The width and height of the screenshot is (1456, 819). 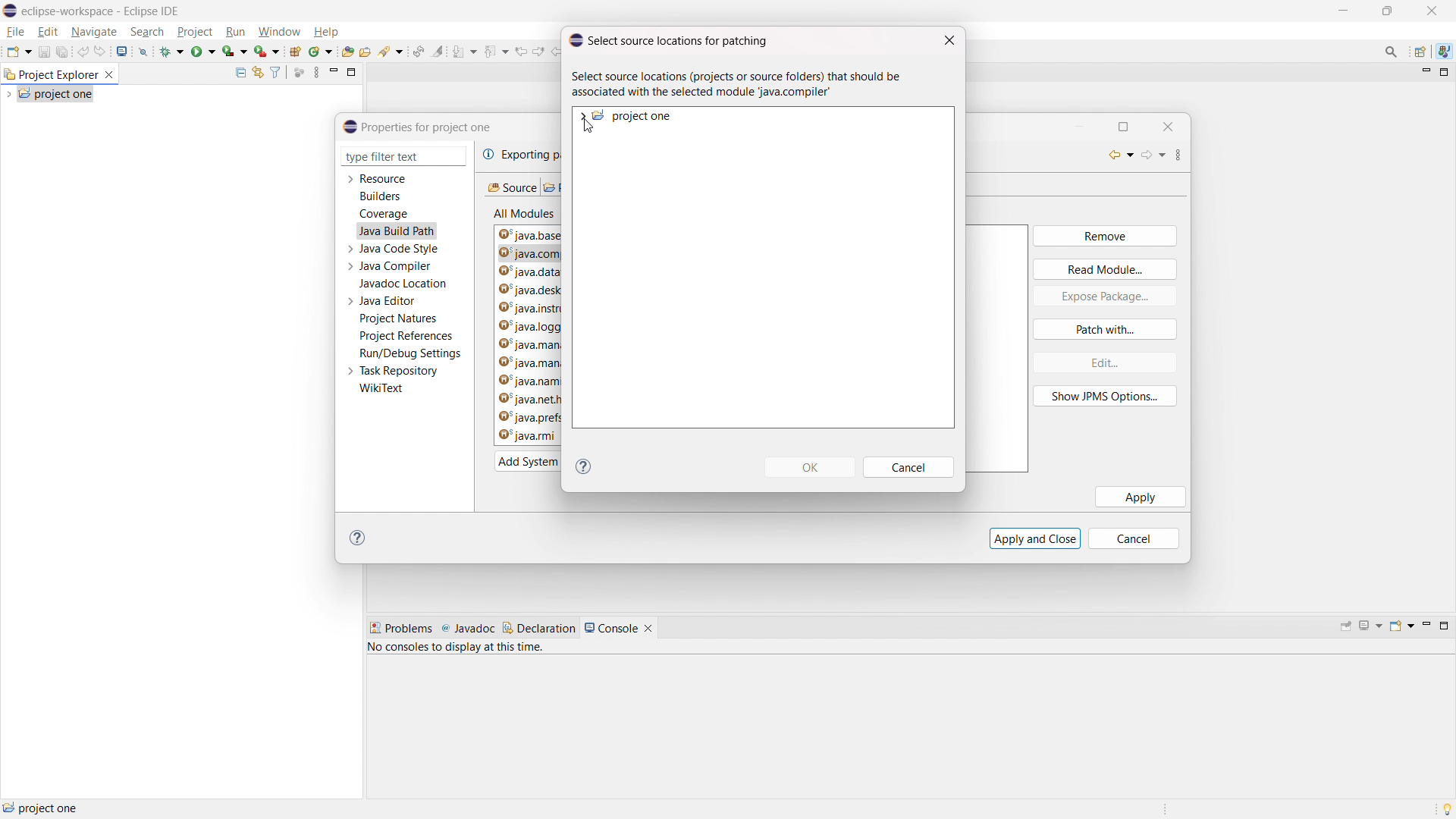 I want to click on help, so click(x=325, y=32).